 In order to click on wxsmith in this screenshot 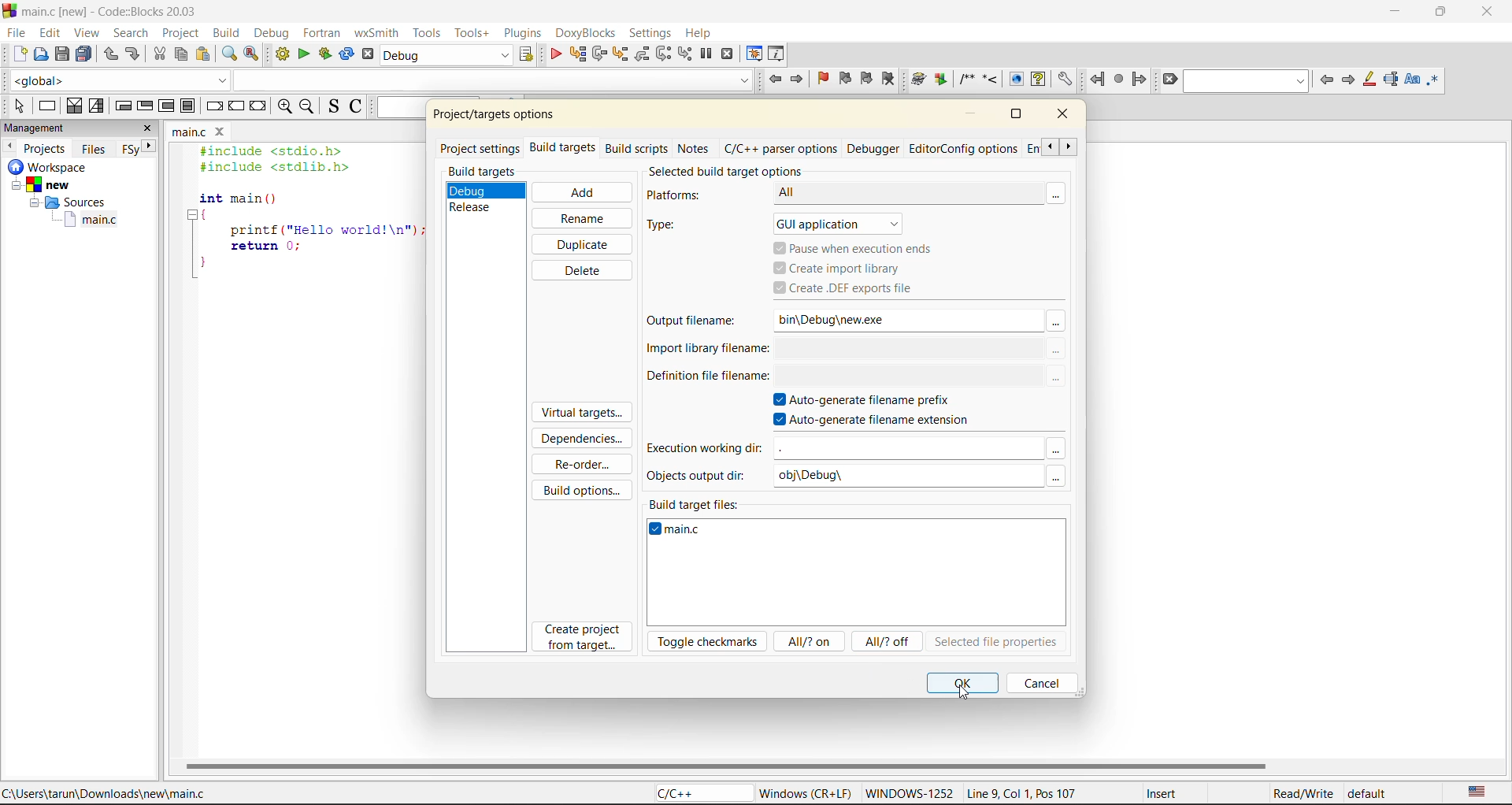, I will do `click(379, 32)`.